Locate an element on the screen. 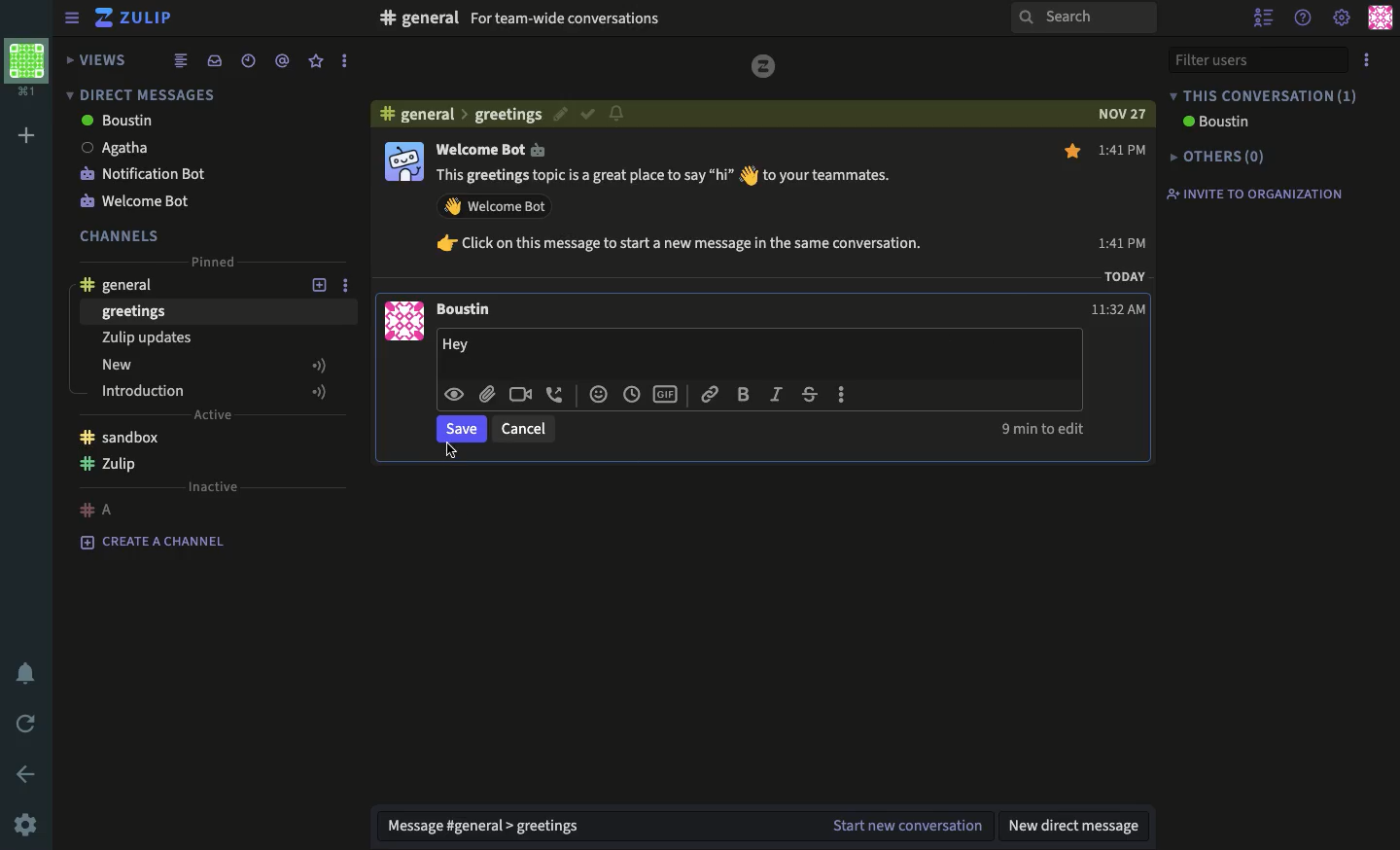  new direct message is located at coordinates (1079, 826).